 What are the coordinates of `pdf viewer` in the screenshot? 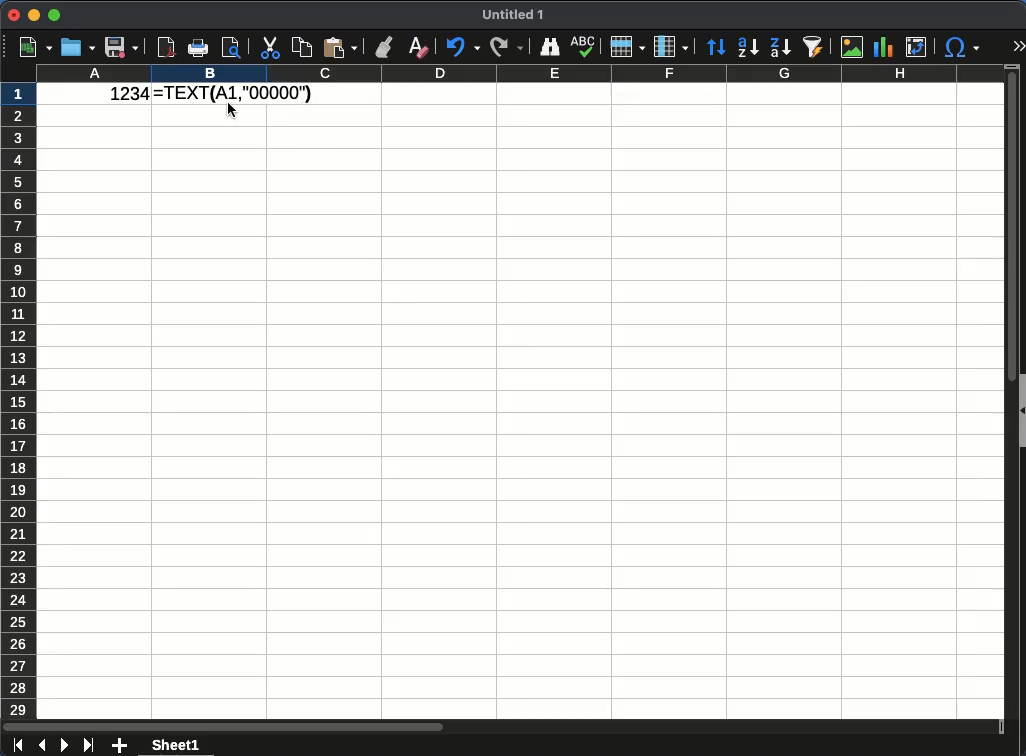 It's located at (167, 45).